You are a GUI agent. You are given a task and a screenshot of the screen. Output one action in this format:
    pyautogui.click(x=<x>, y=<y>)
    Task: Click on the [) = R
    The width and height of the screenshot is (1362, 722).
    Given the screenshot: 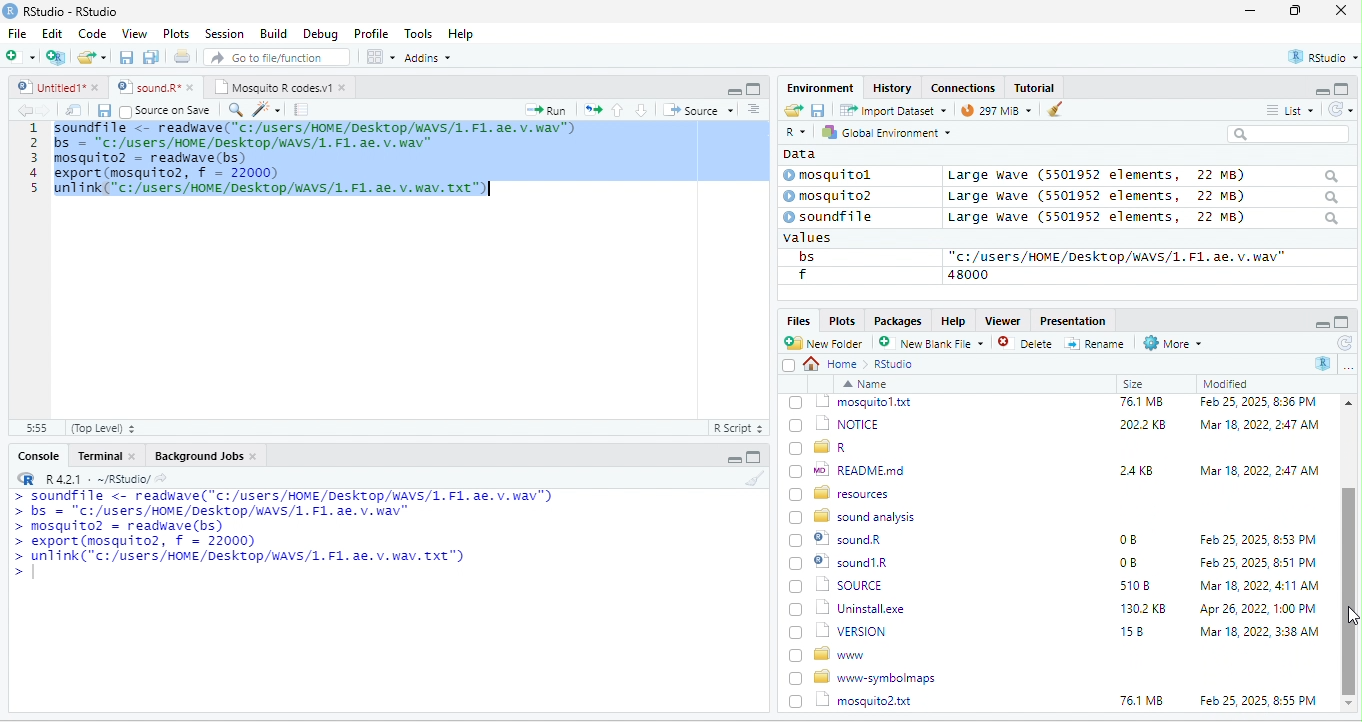 What is the action you would take?
    pyautogui.click(x=830, y=567)
    